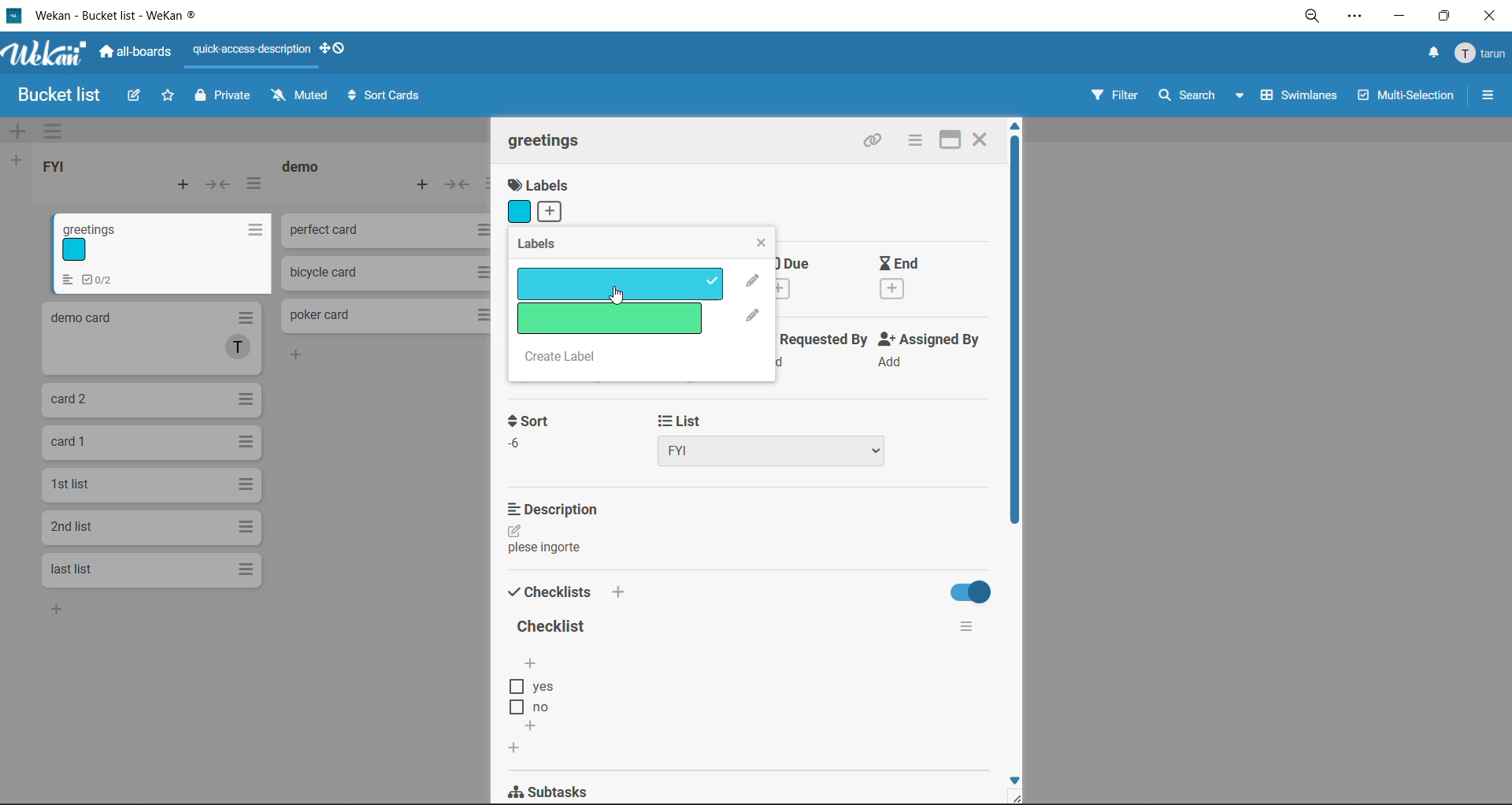 The width and height of the screenshot is (1512, 805). Describe the element at coordinates (528, 434) in the screenshot. I see `sort` at that location.